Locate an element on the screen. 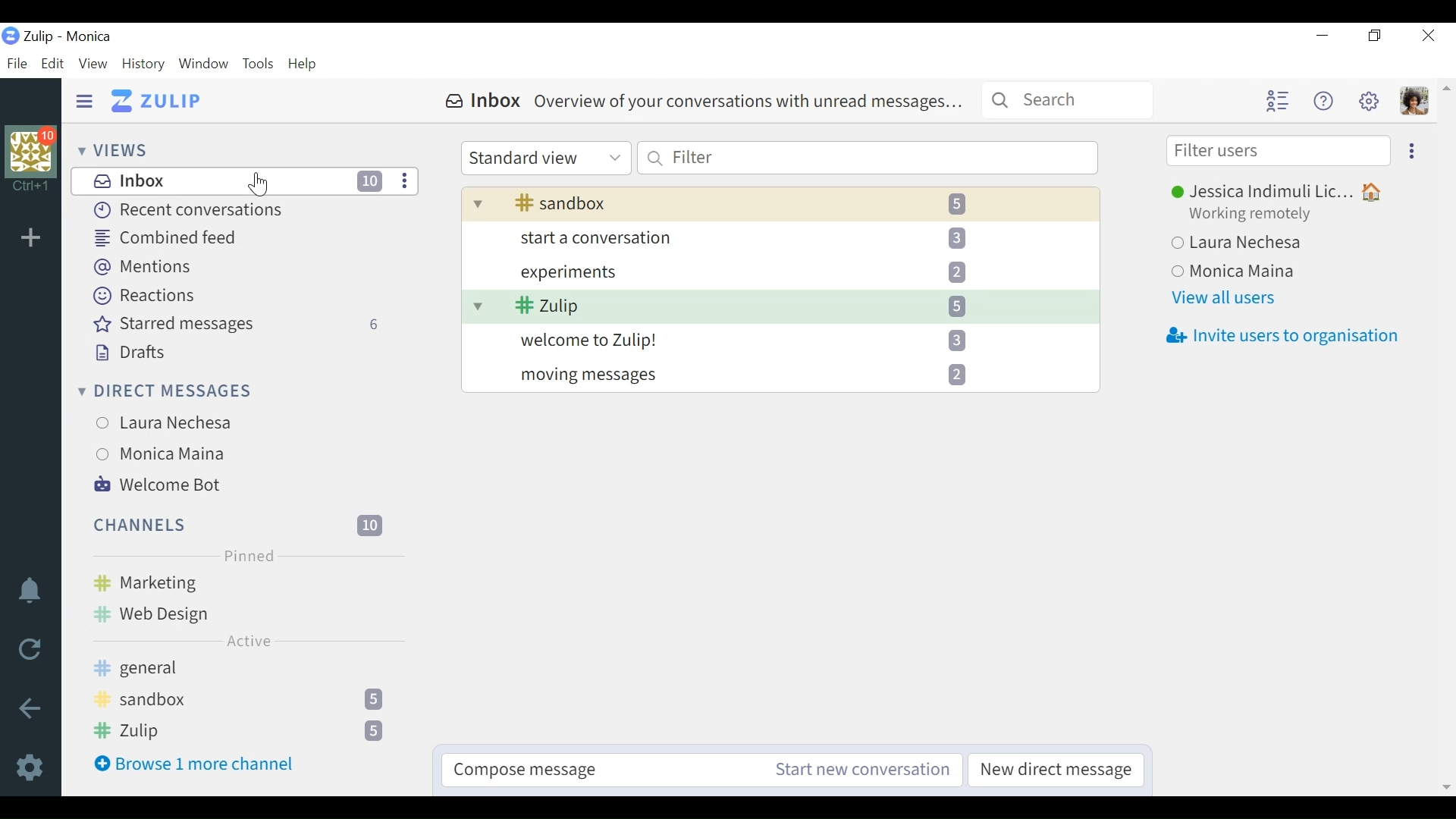 This screenshot has width=1456, height=819. User is located at coordinates (1240, 244).